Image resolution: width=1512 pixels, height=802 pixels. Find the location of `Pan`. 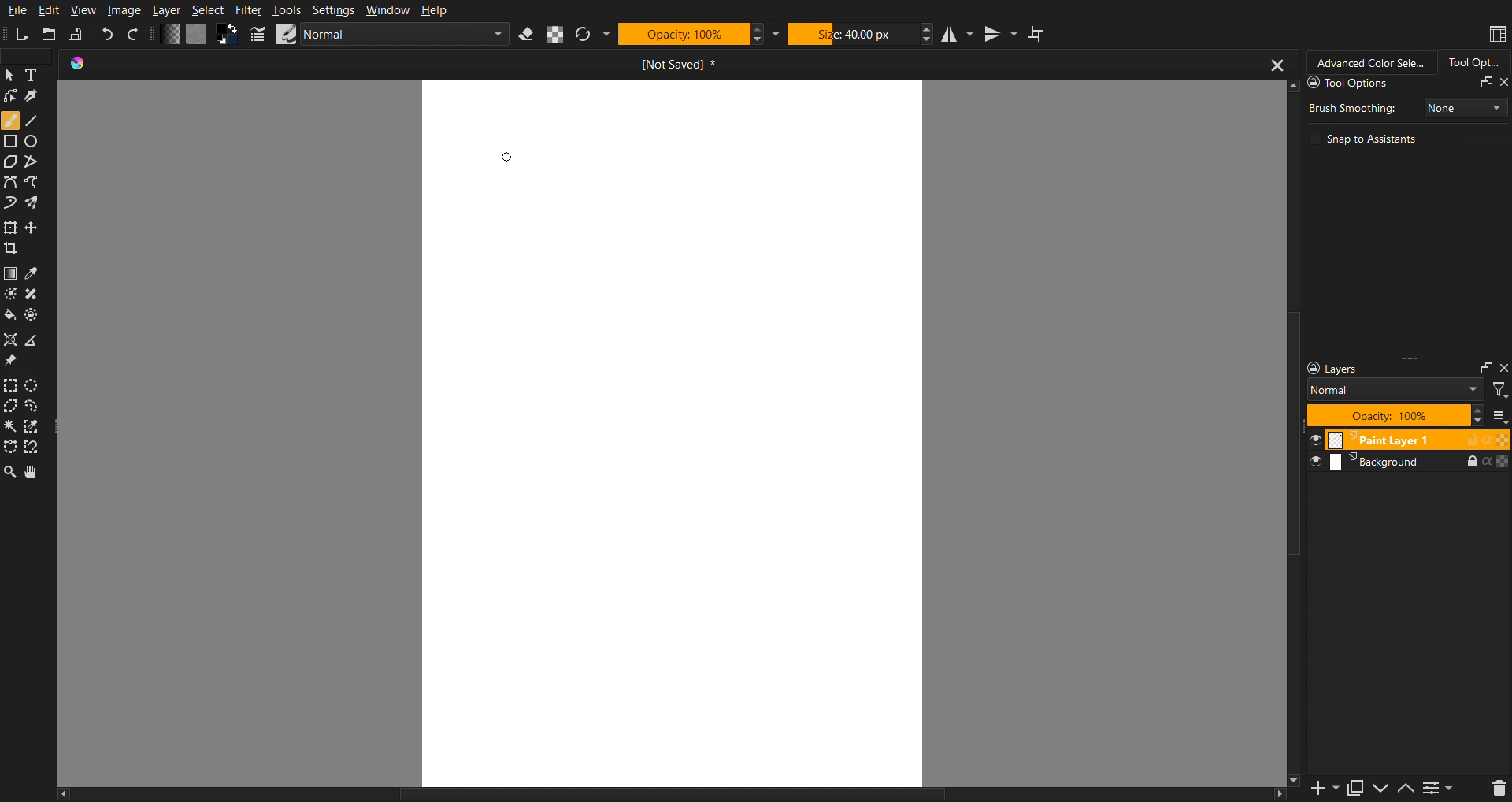

Pan is located at coordinates (39, 473).